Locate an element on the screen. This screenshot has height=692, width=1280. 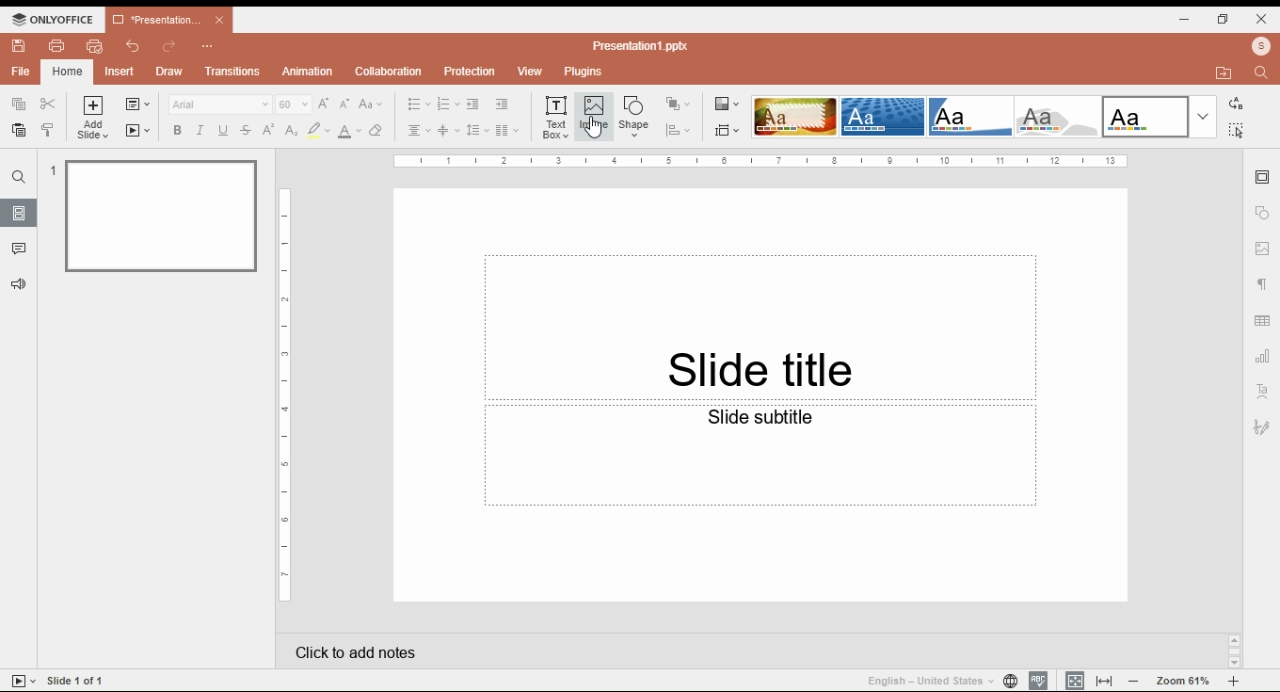
plugins is located at coordinates (584, 72).